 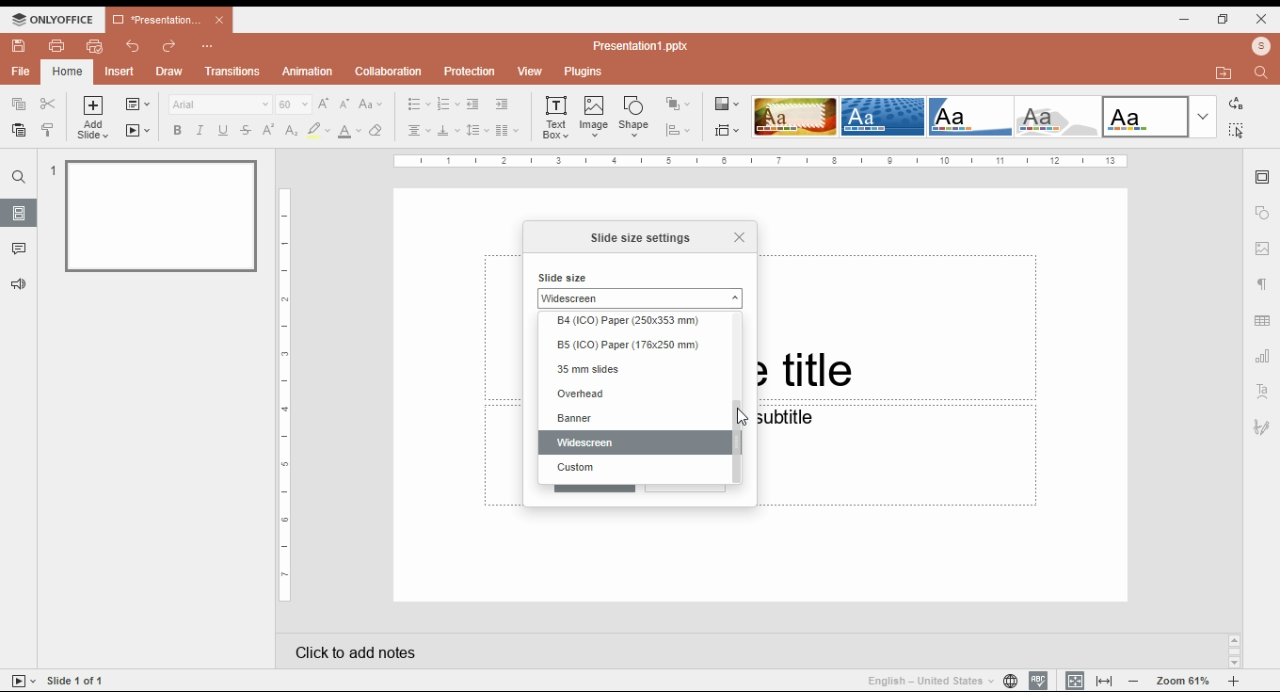 I want to click on , so click(x=1265, y=428).